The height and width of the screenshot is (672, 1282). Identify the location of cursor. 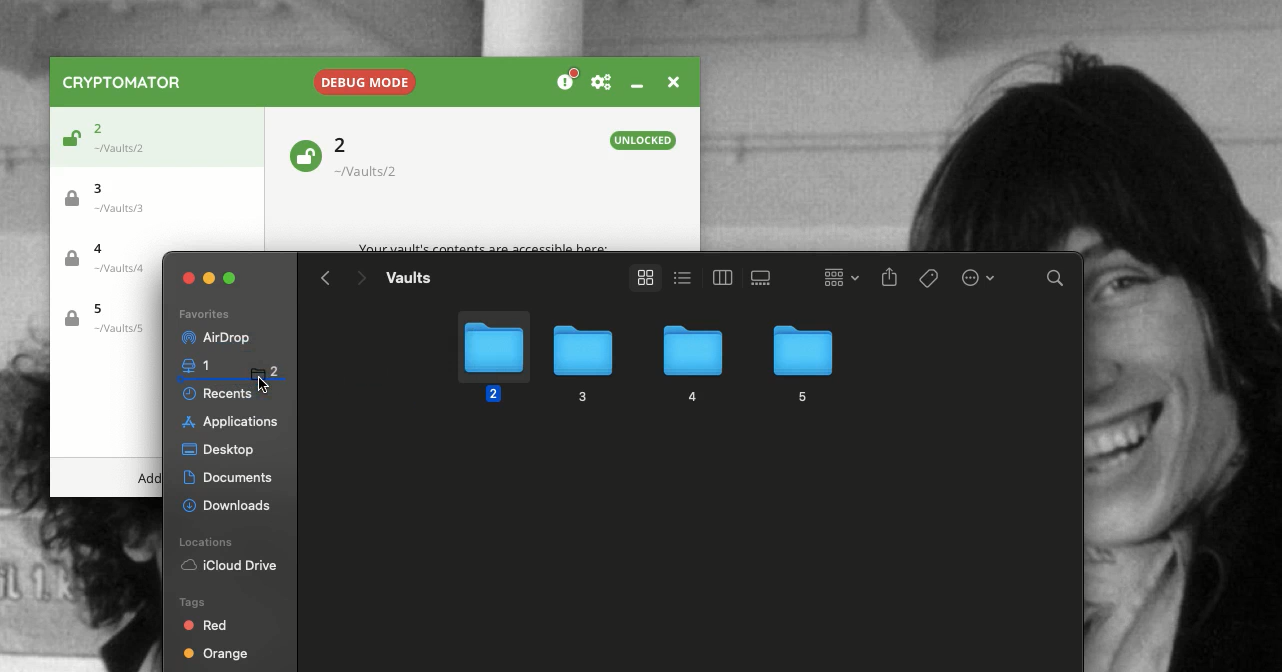
(263, 383).